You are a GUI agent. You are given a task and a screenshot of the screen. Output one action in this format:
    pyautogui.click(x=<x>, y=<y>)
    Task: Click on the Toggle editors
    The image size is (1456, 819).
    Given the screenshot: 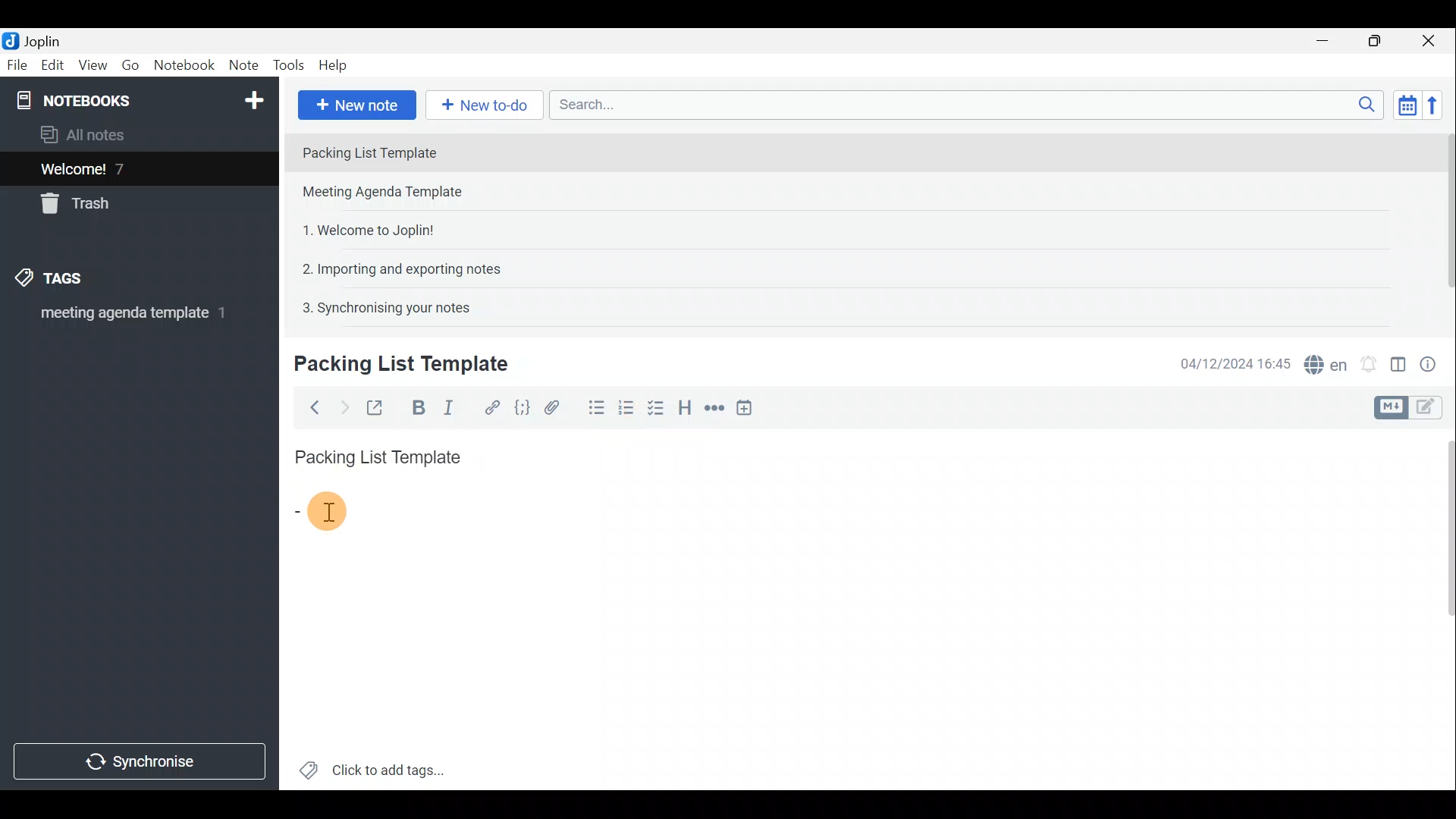 What is the action you would take?
    pyautogui.click(x=1393, y=406)
    